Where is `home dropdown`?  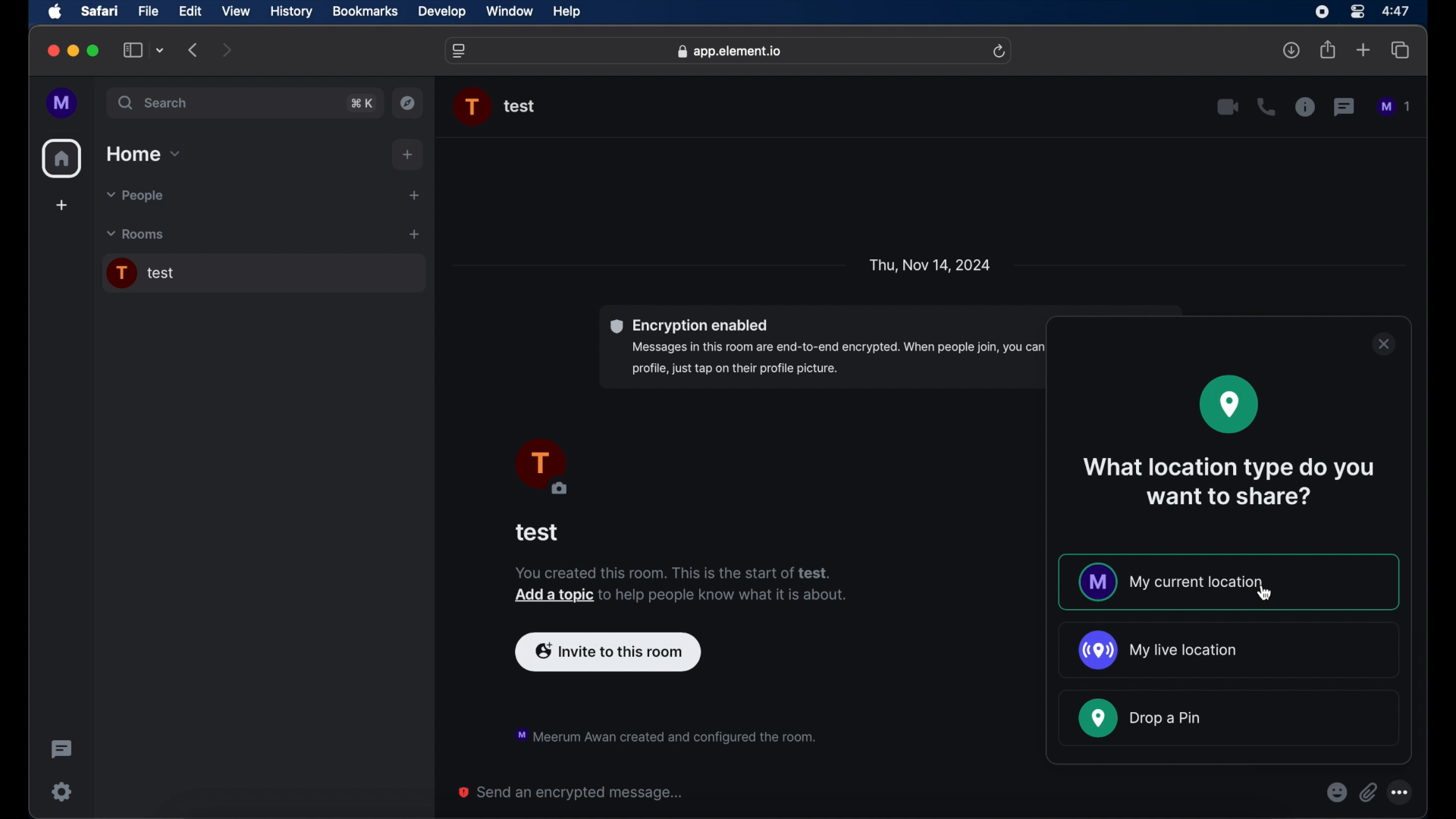
home dropdown is located at coordinates (145, 154).